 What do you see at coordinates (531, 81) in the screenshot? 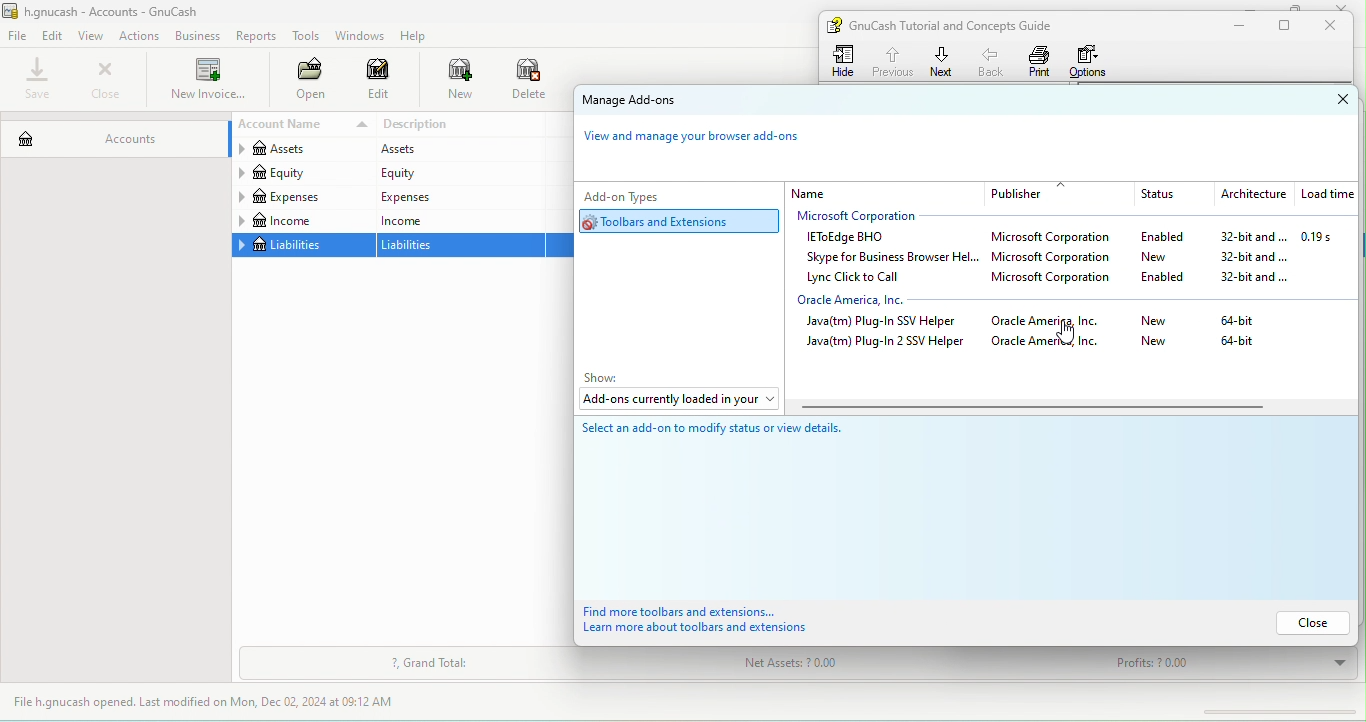
I see `delete` at bounding box center [531, 81].